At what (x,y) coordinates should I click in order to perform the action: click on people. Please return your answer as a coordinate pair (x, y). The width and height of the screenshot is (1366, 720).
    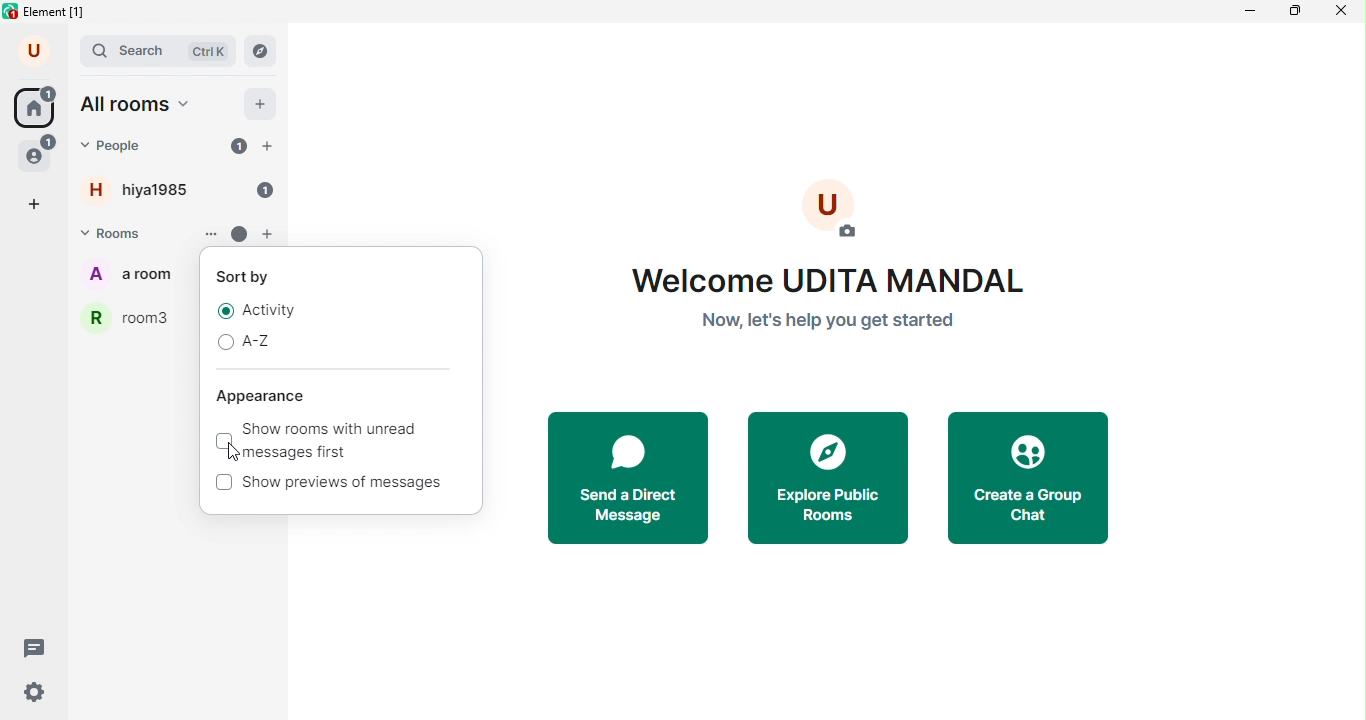
    Looking at the image, I should click on (38, 152).